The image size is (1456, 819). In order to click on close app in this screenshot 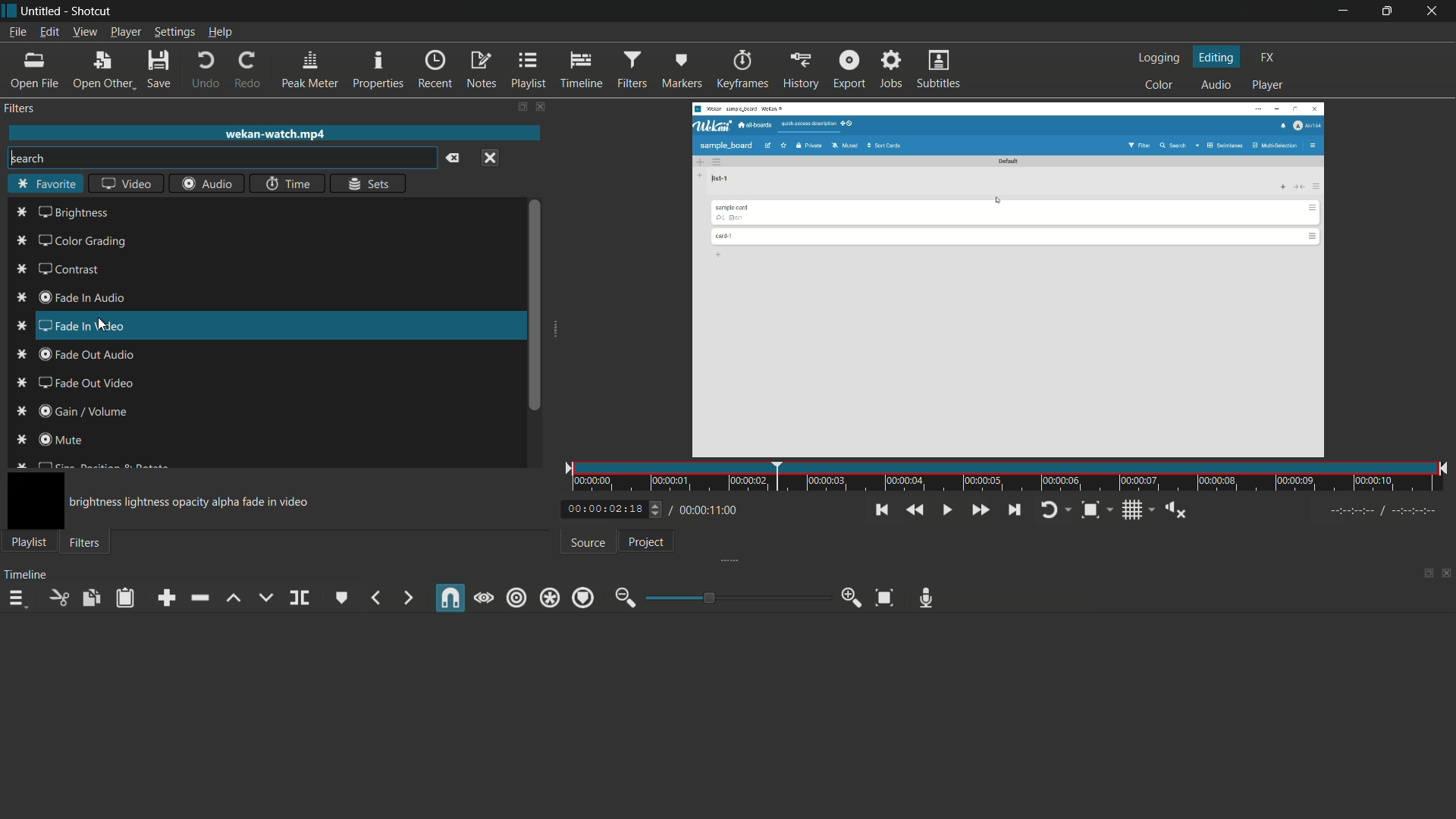, I will do `click(1434, 12)`.